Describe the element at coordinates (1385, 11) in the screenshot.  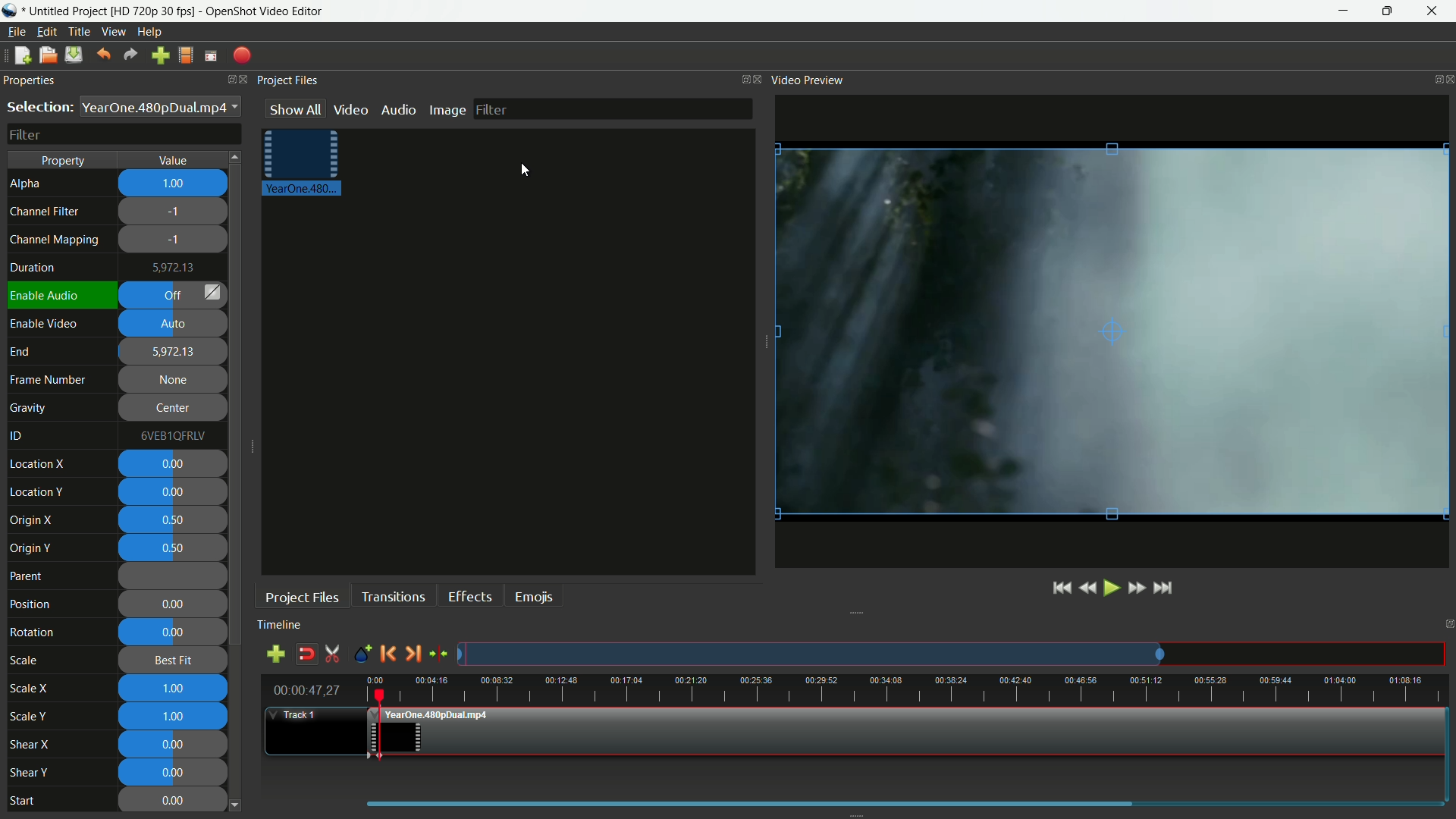
I see `maximize` at that location.